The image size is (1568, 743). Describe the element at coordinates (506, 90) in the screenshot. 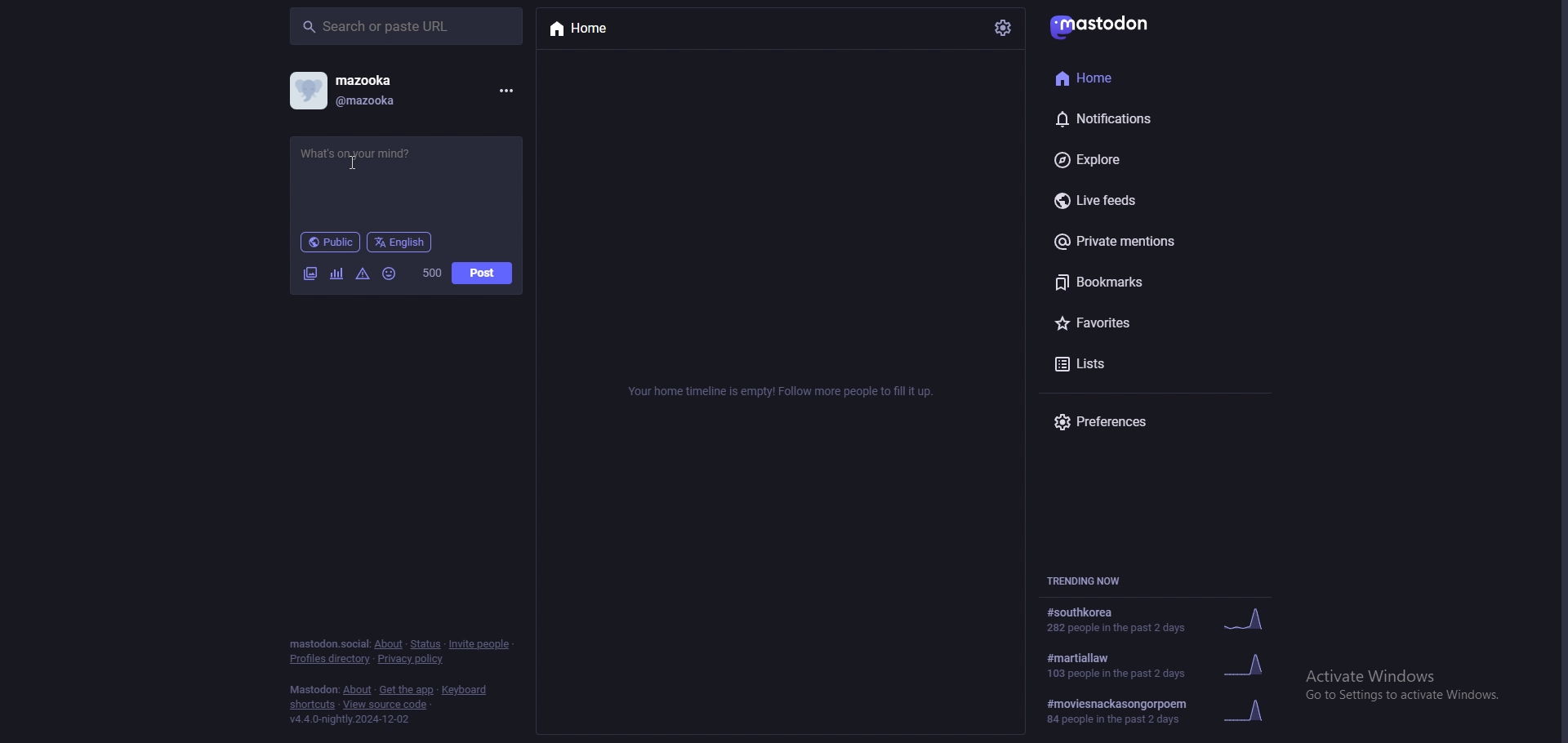

I see `menu` at that location.